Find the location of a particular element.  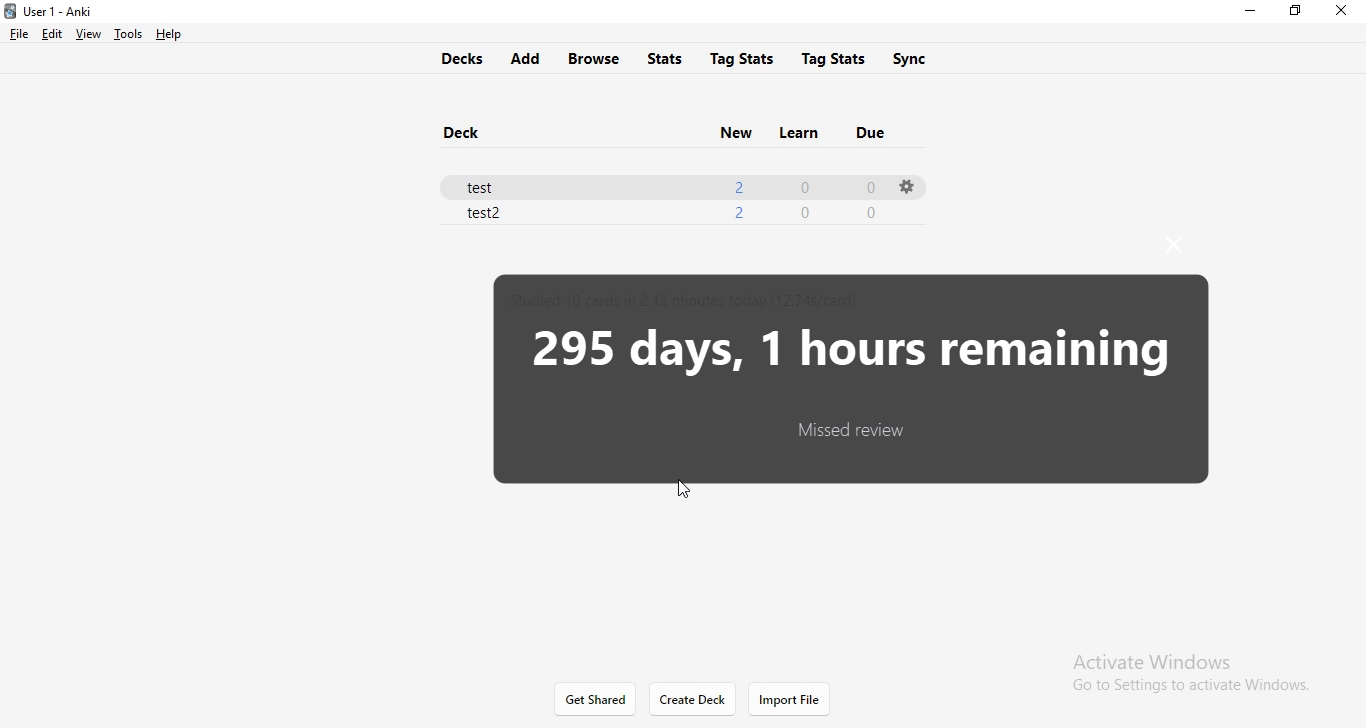

Anki is located at coordinates (58, 12).